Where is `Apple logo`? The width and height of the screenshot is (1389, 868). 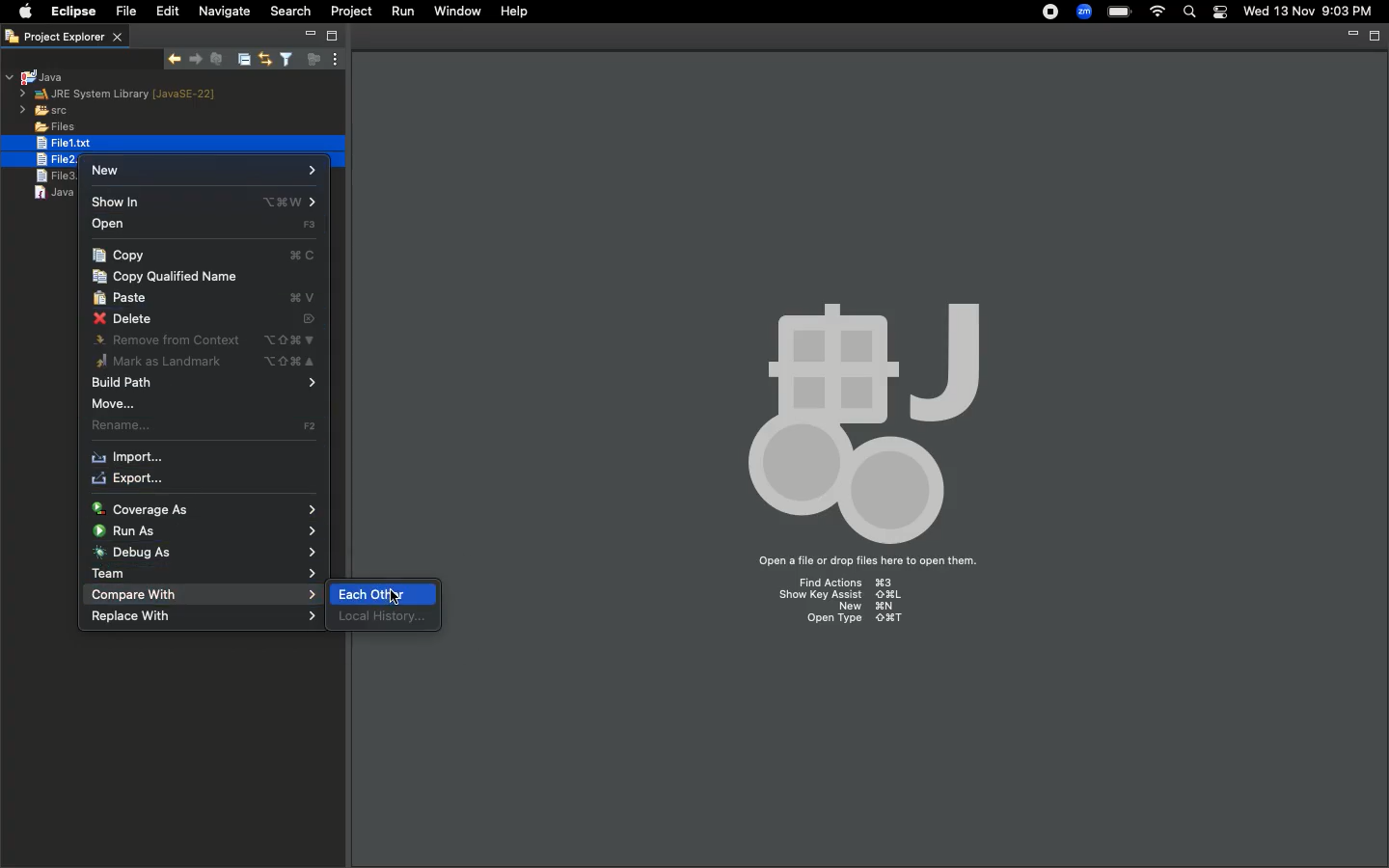 Apple logo is located at coordinates (21, 14).